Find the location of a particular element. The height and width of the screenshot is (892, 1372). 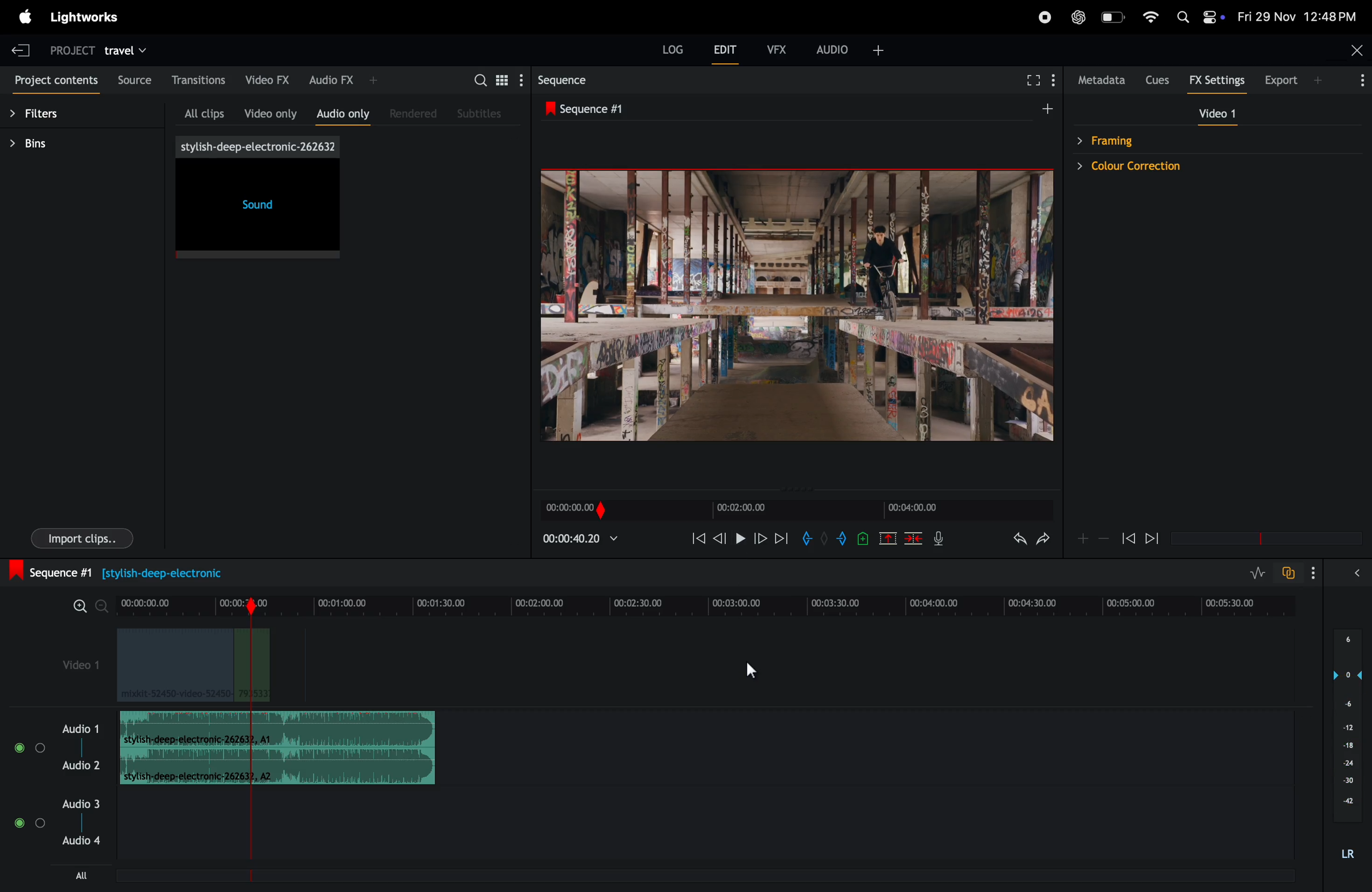

travel is located at coordinates (133, 49).